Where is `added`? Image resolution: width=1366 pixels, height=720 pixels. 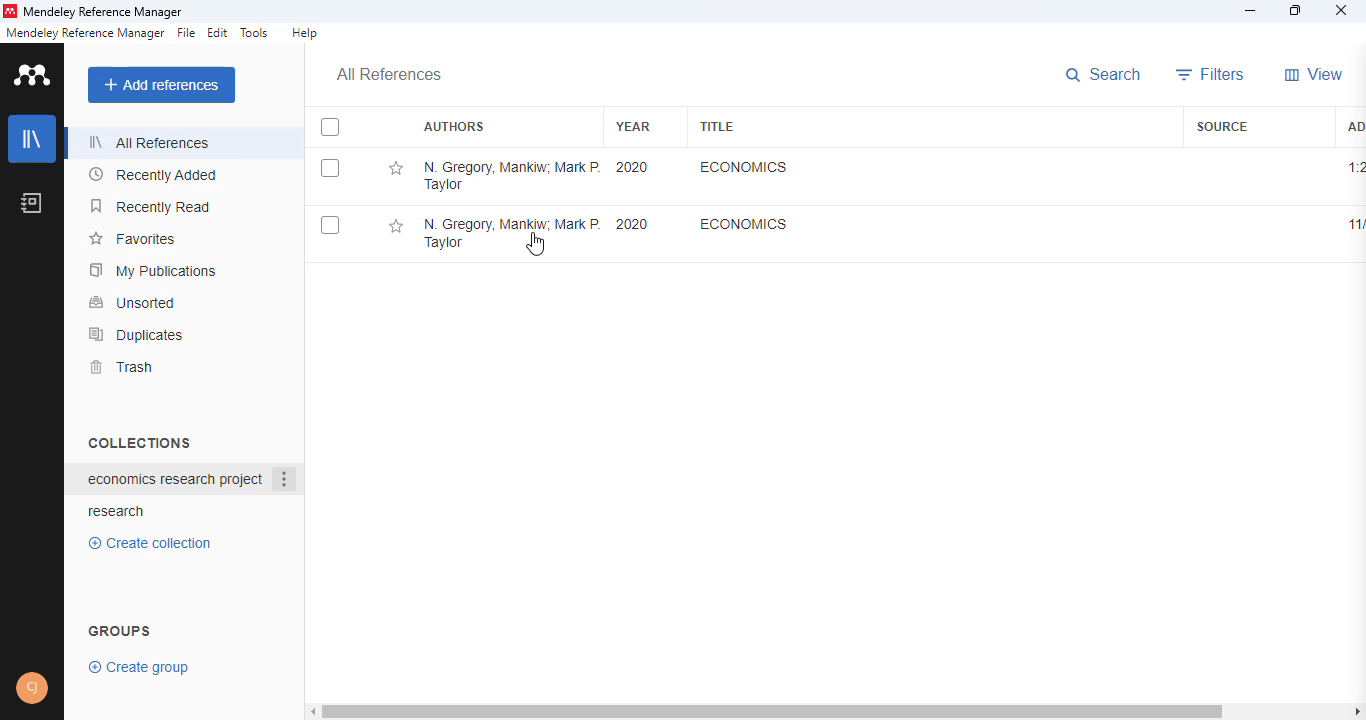
added is located at coordinates (1353, 125).